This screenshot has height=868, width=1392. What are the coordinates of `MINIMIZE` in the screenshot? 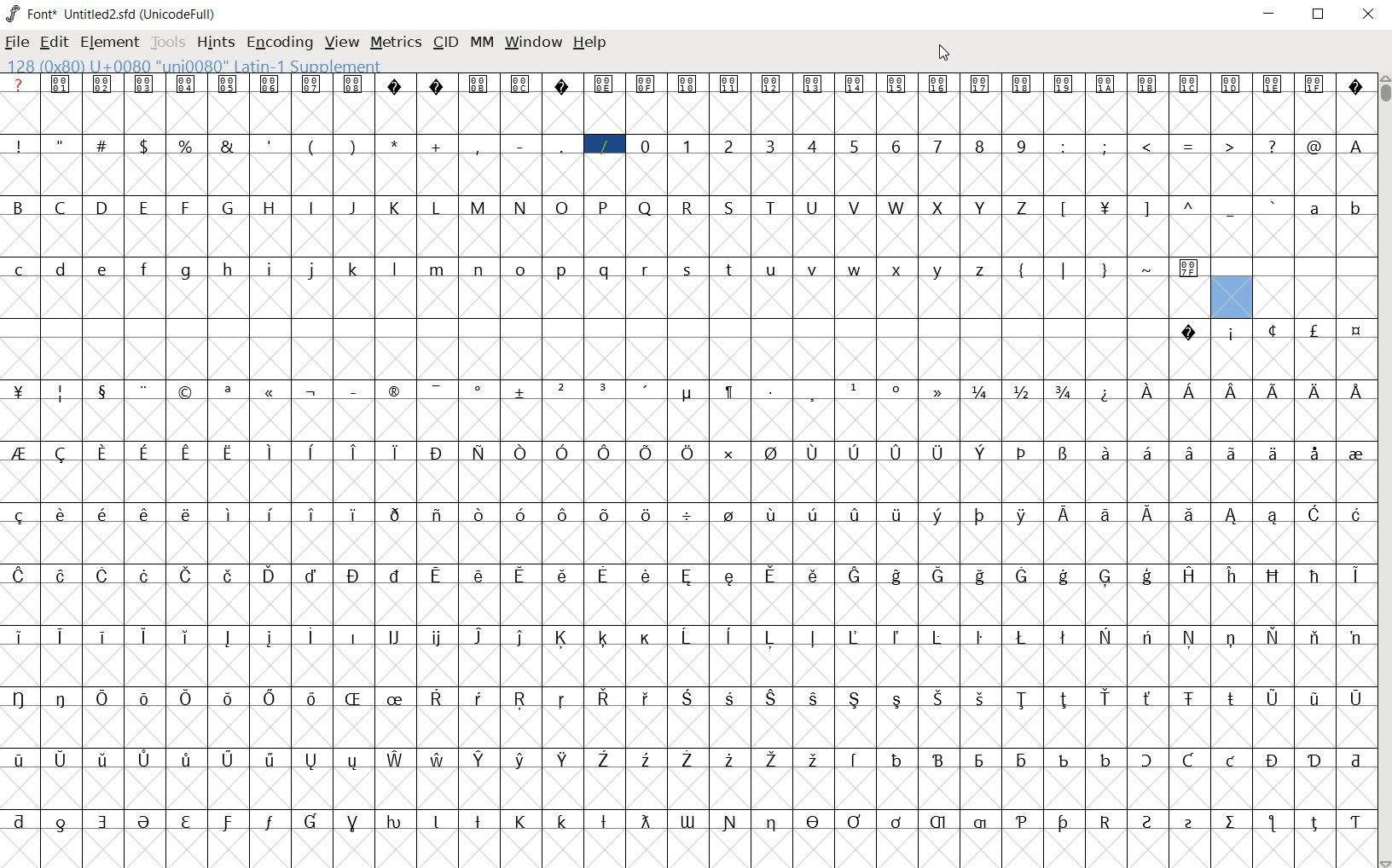 It's located at (1271, 13).